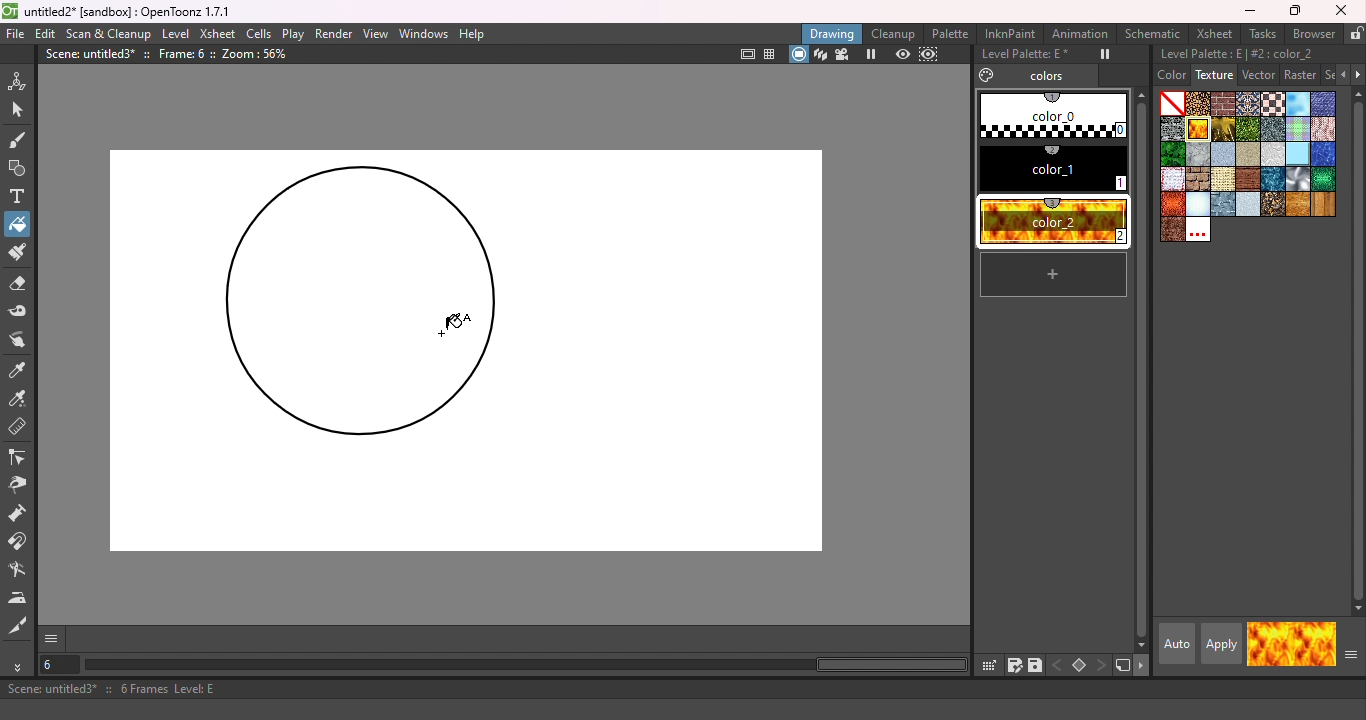  I want to click on next , so click(1143, 668).